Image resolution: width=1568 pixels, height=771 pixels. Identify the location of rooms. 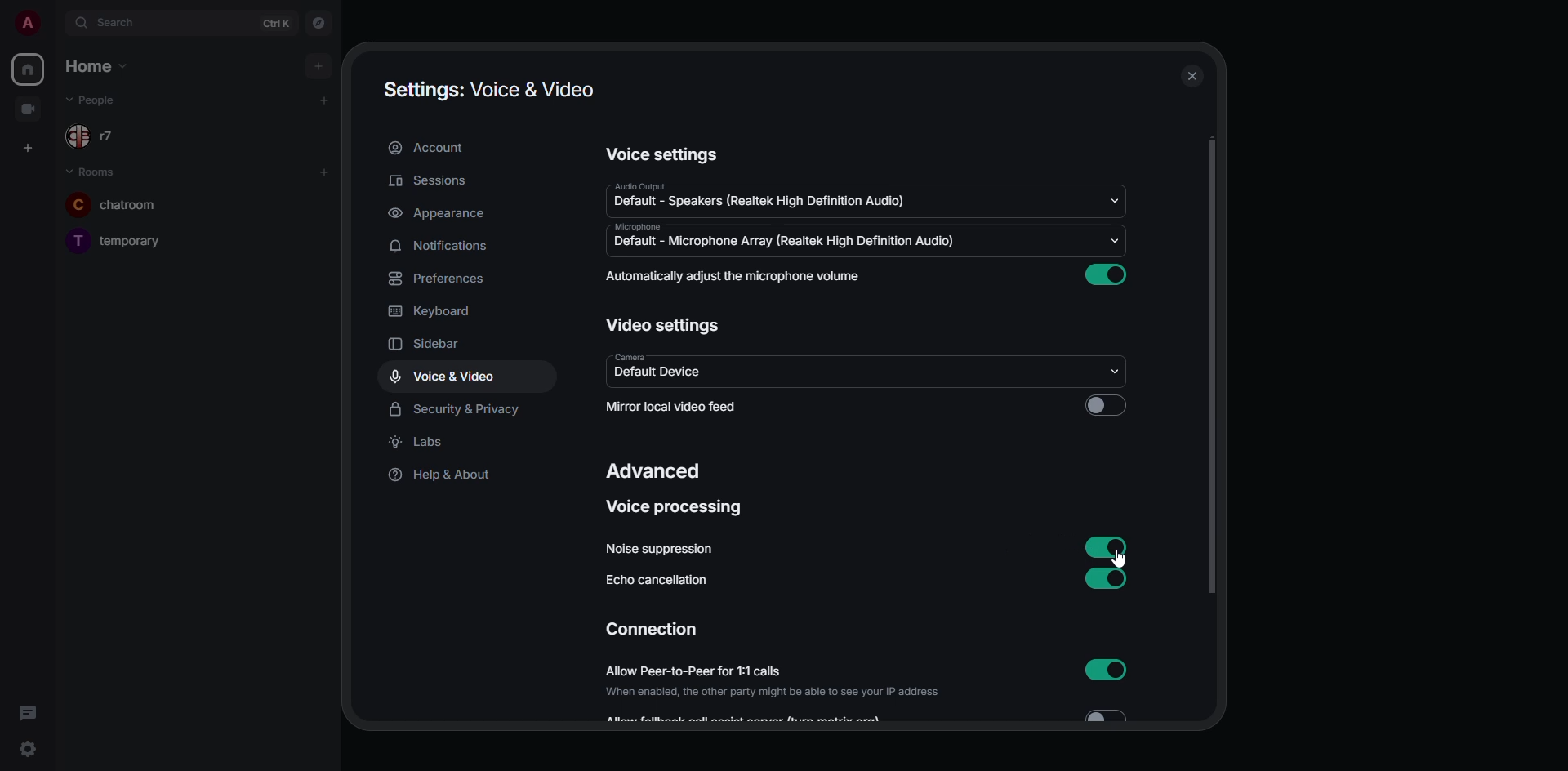
(93, 169).